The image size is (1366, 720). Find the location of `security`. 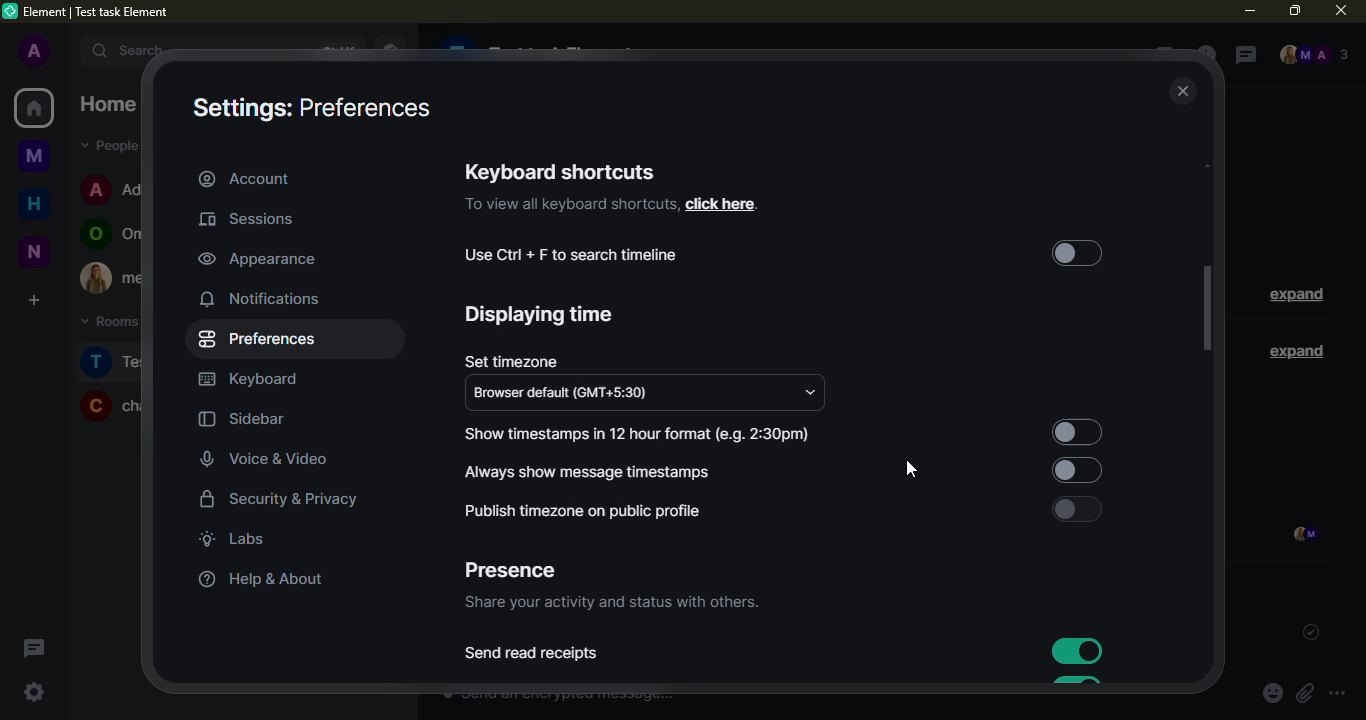

security is located at coordinates (280, 501).